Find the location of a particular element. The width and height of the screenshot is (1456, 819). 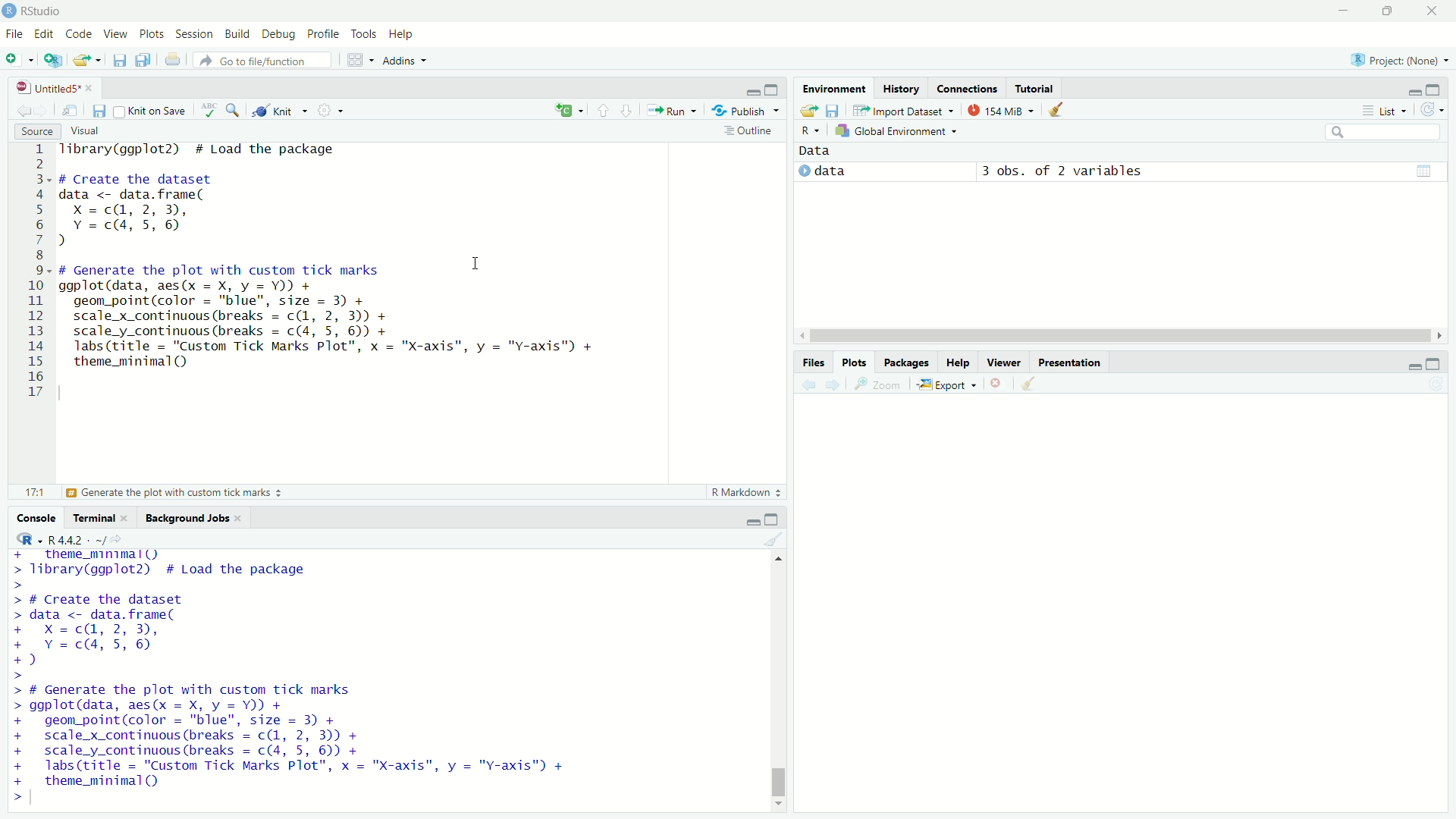

view is located at coordinates (115, 35).